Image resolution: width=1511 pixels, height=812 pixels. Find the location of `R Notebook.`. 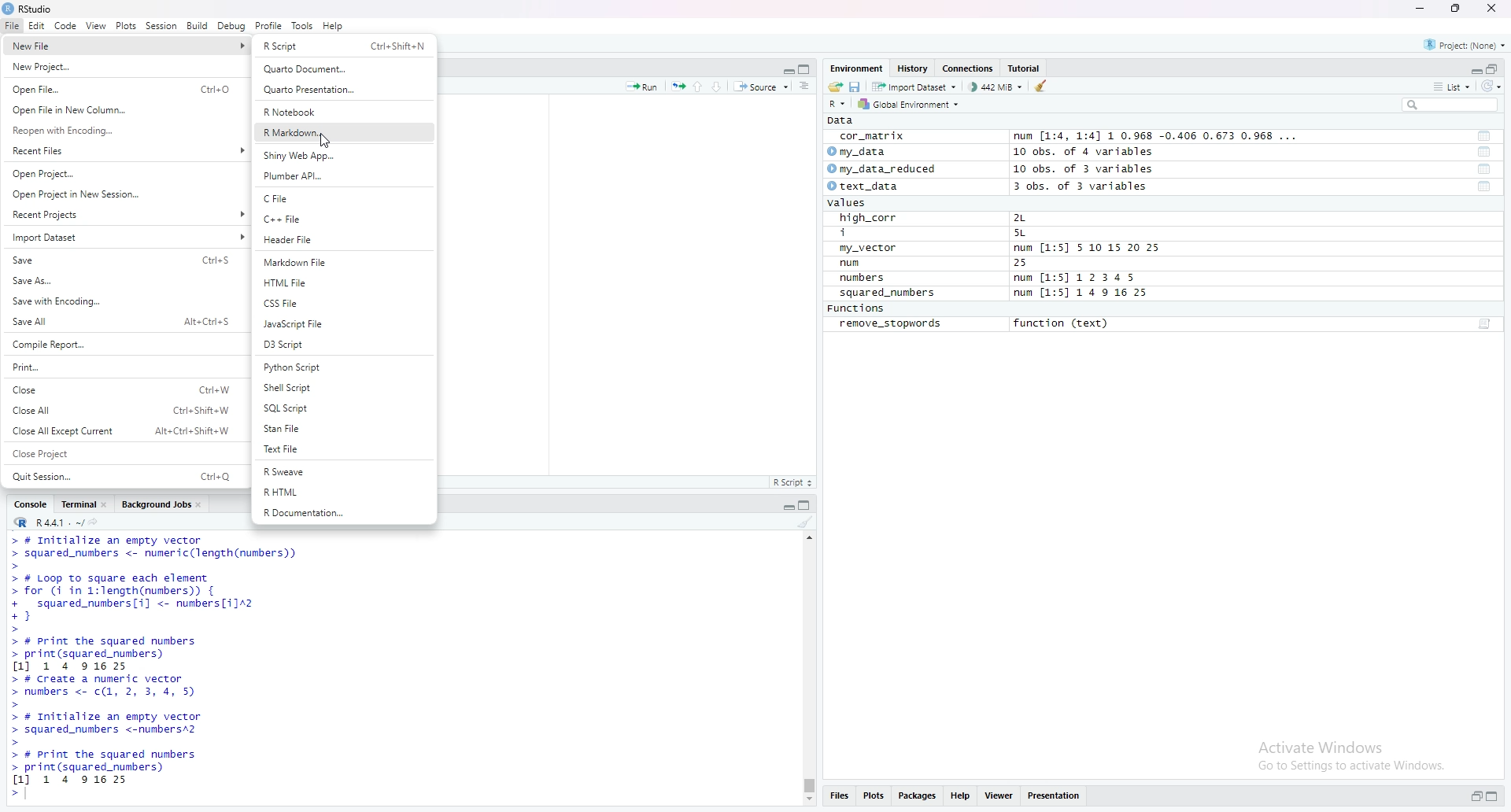

R Notebook. is located at coordinates (339, 111).